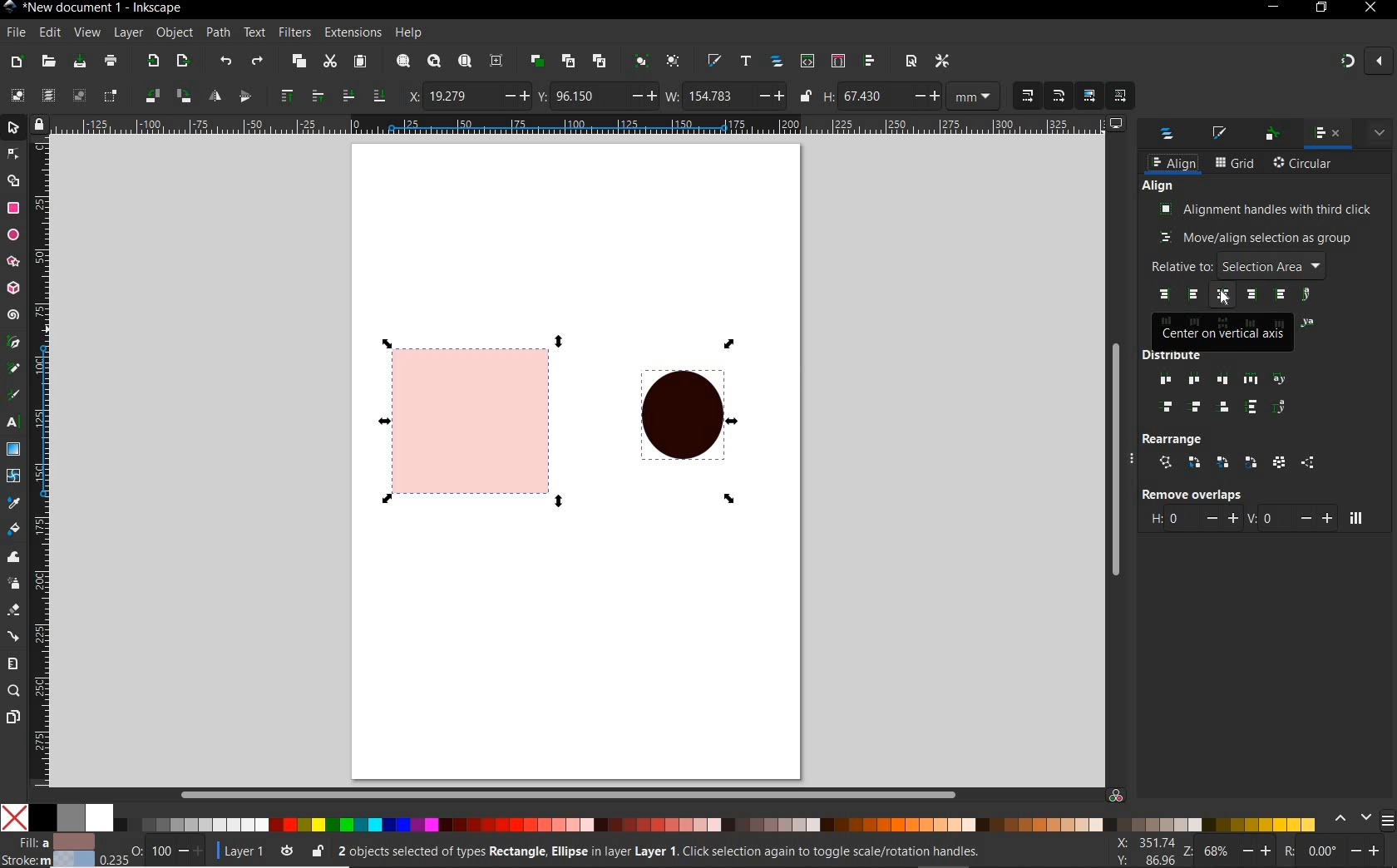 This screenshot has width=1397, height=868. I want to click on open selector, so click(837, 61).